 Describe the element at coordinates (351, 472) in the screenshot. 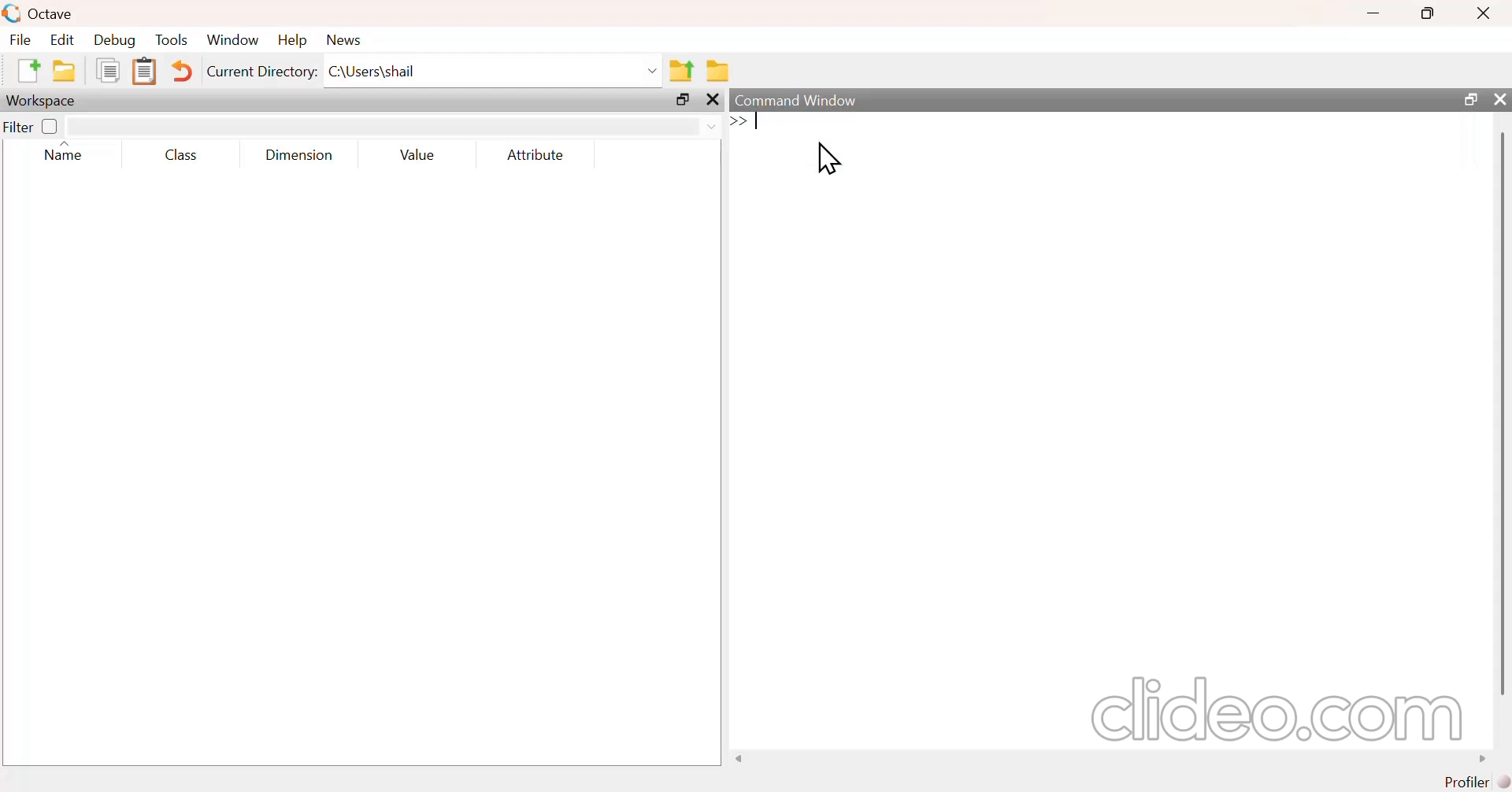

I see `empty area` at that location.